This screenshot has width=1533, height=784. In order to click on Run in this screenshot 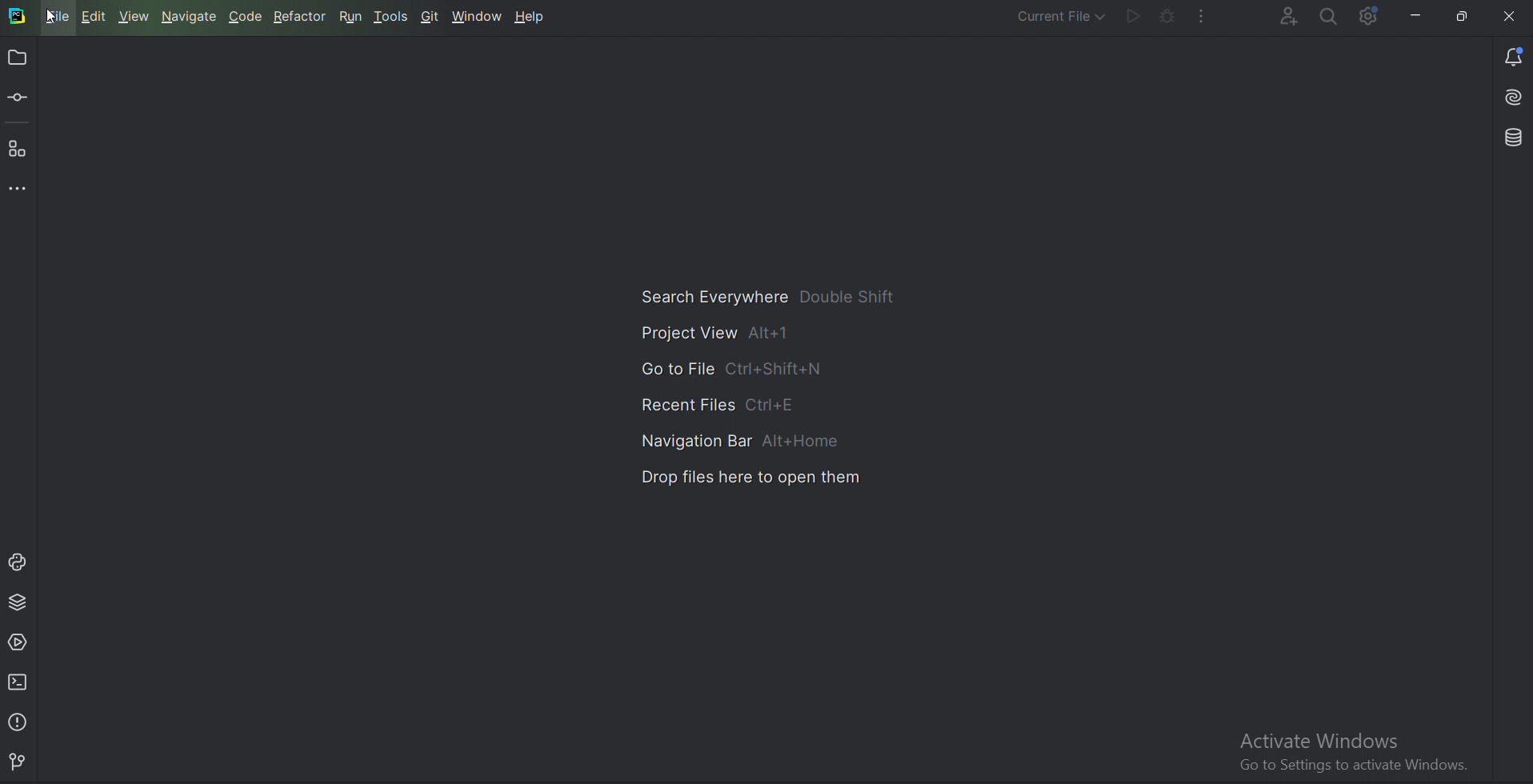, I will do `click(353, 15)`.